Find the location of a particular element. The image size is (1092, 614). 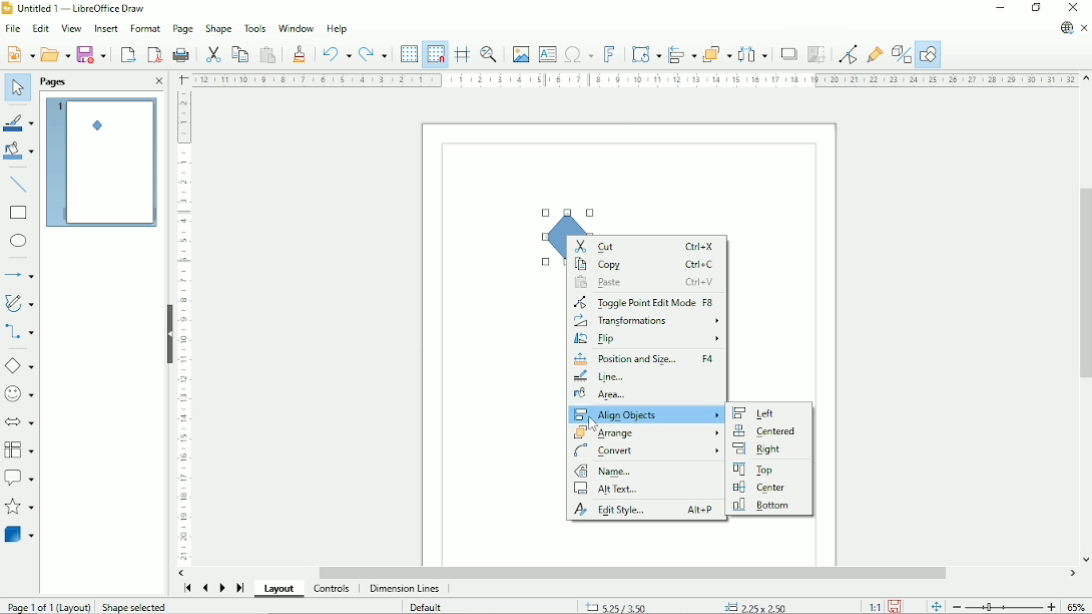

Name is located at coordinates (603, 471).